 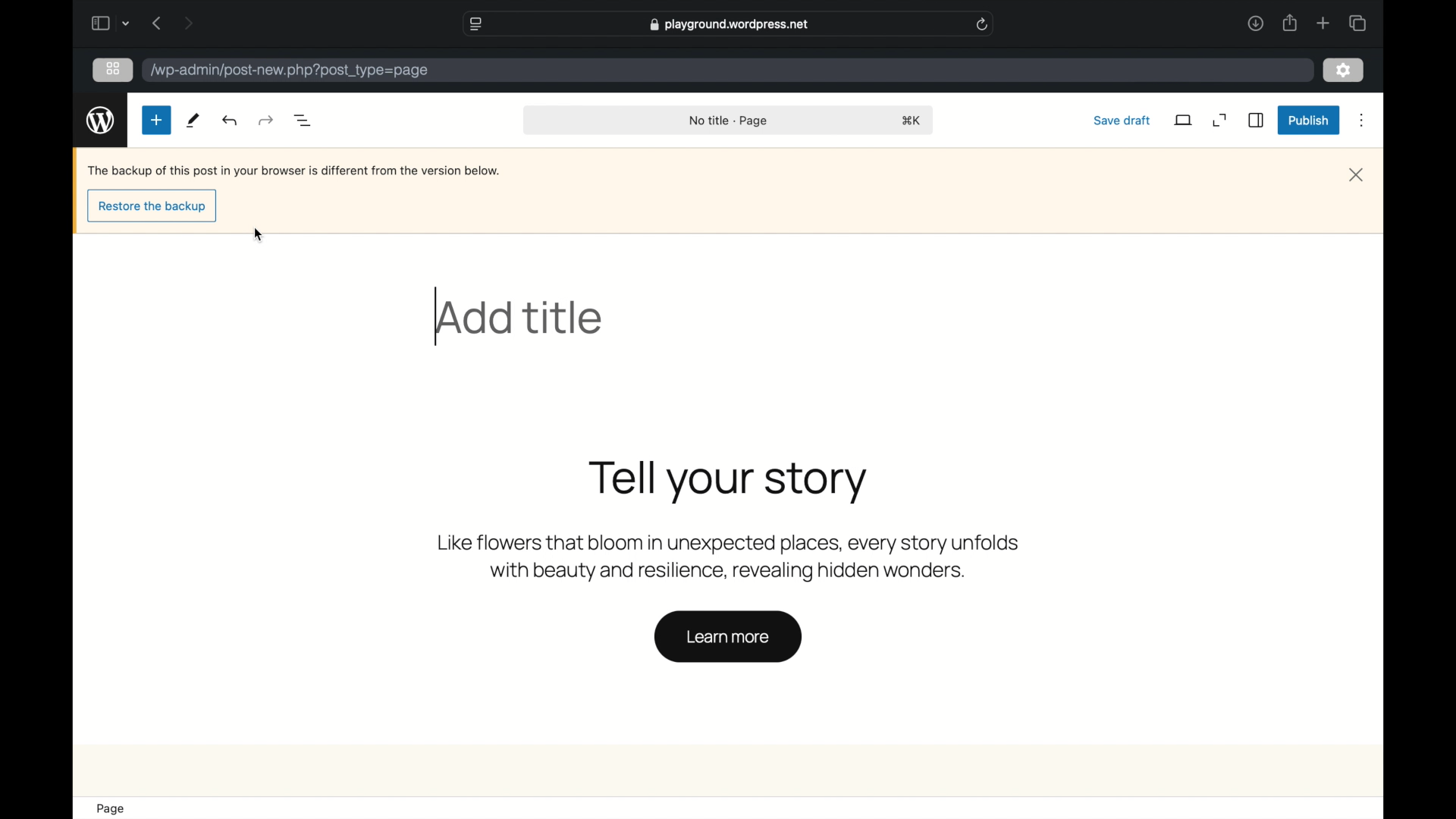 I want to click on restore the backup, so click(x=154, y=207).